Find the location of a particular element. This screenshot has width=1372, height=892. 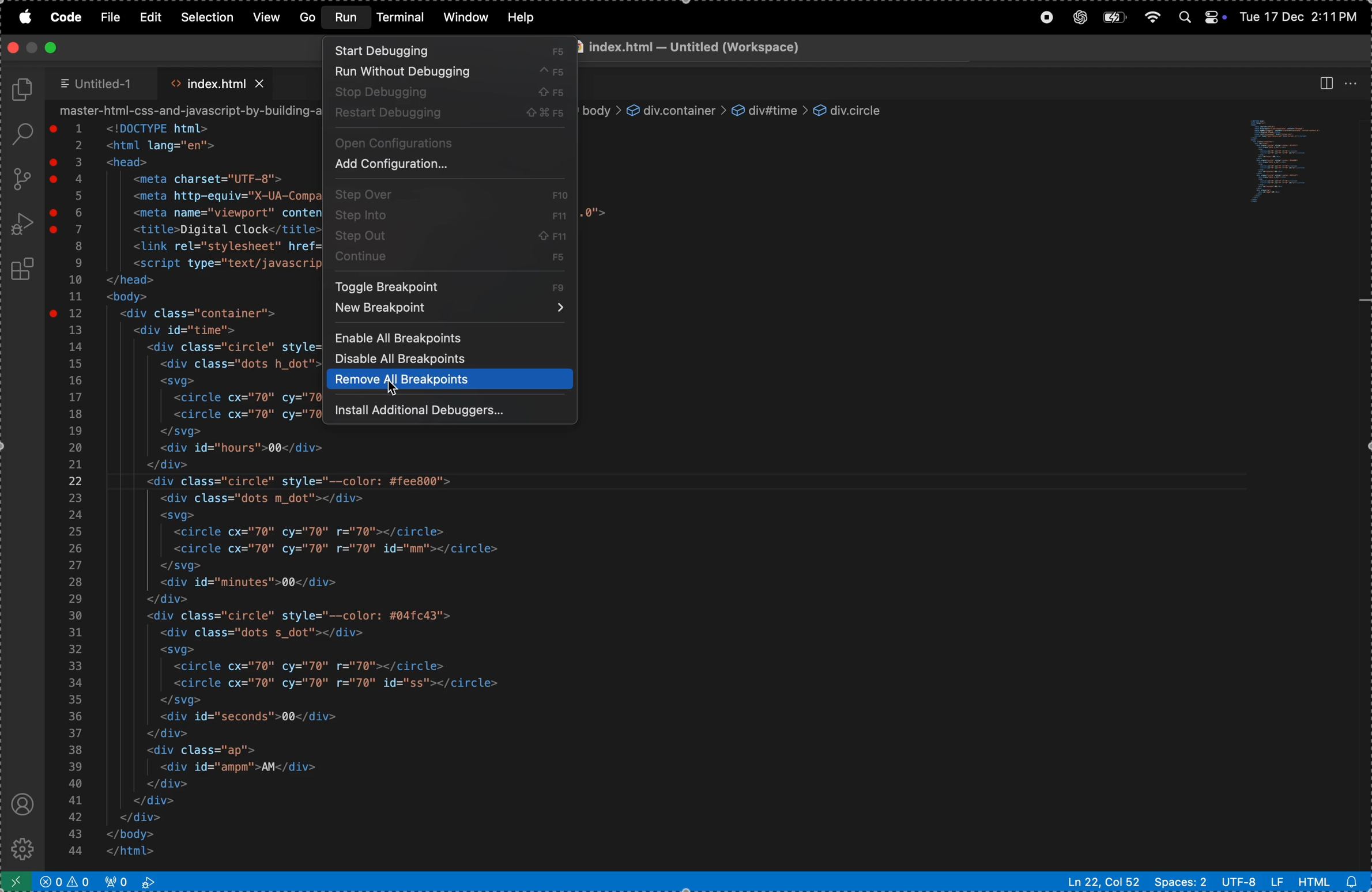

battery is located at coordinates (1111, 17).